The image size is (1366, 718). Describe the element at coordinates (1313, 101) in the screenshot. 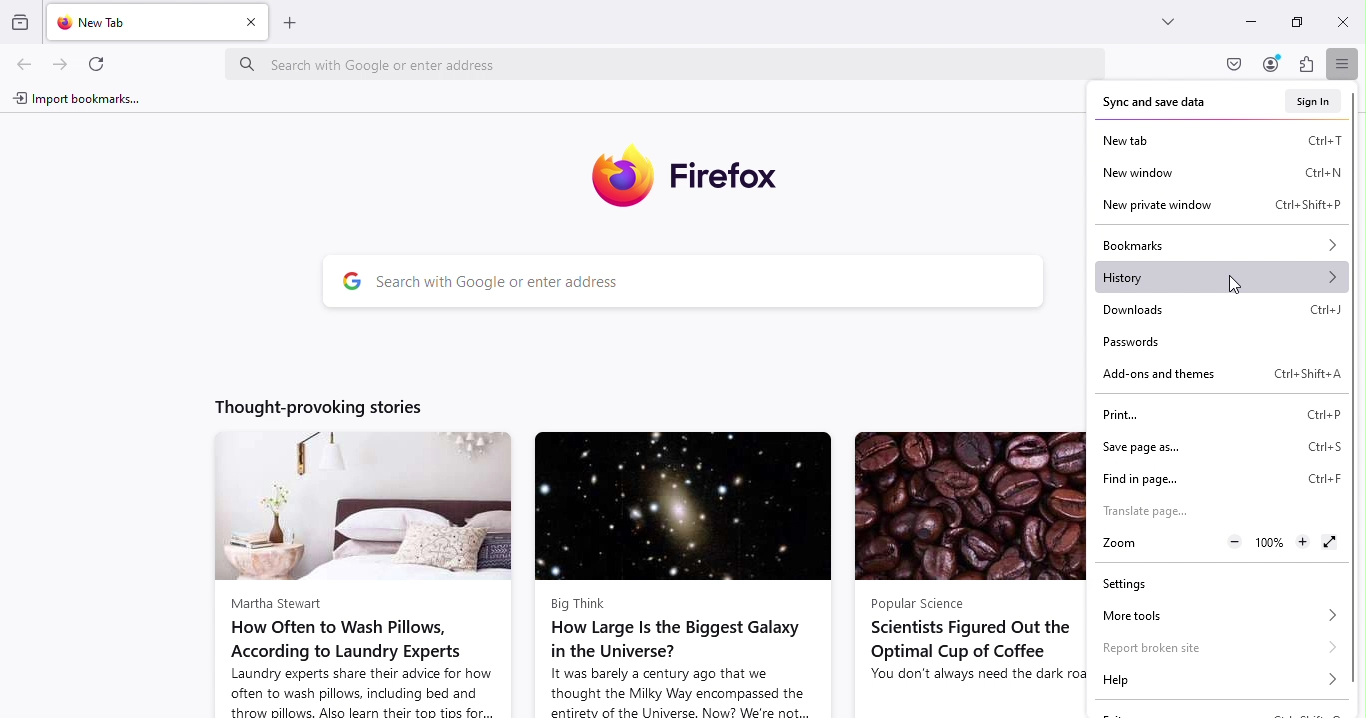

I see `Sign in` at that location.